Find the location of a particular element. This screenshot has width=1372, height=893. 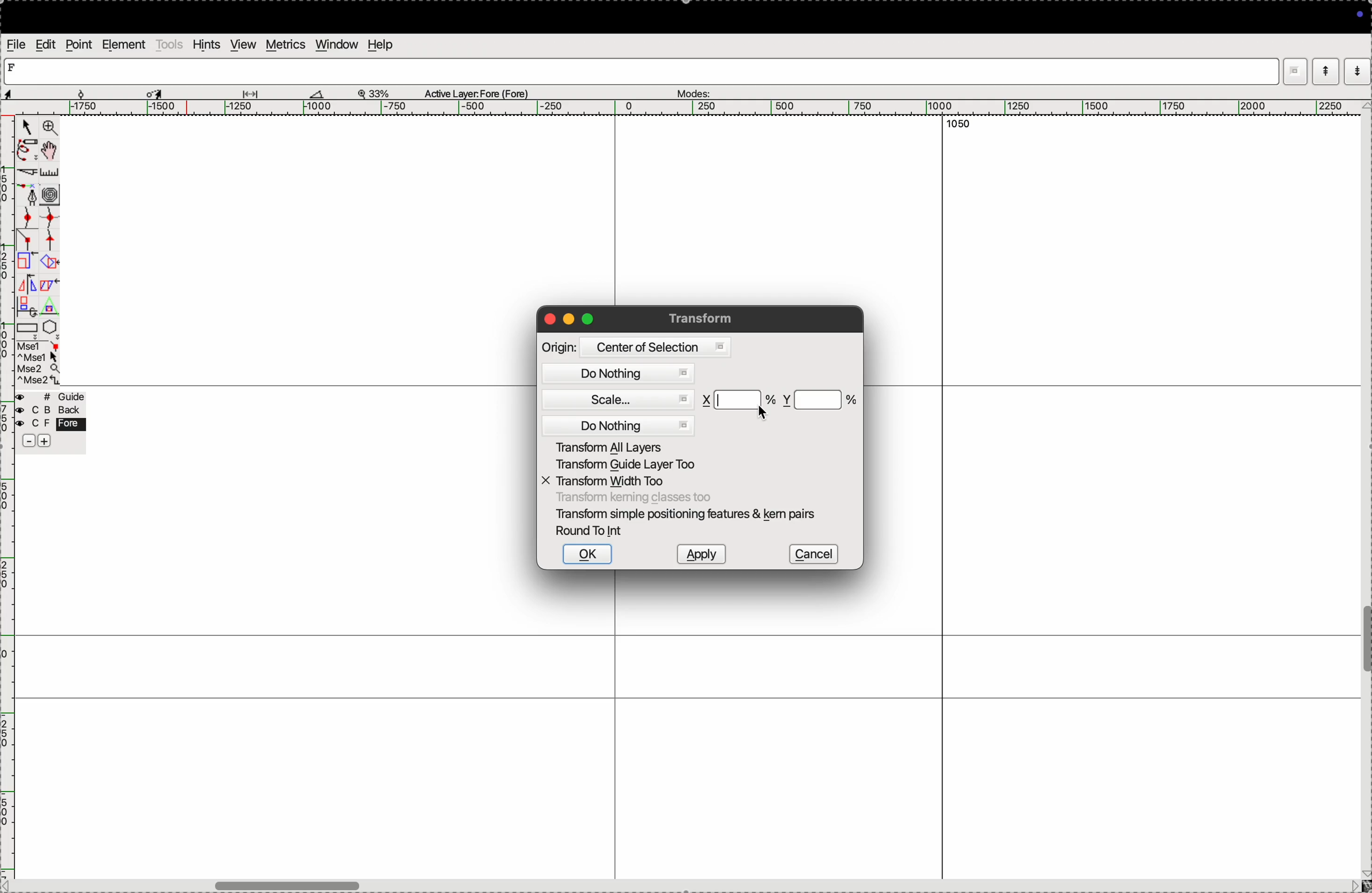

closing is located at coordinates (549, 319).